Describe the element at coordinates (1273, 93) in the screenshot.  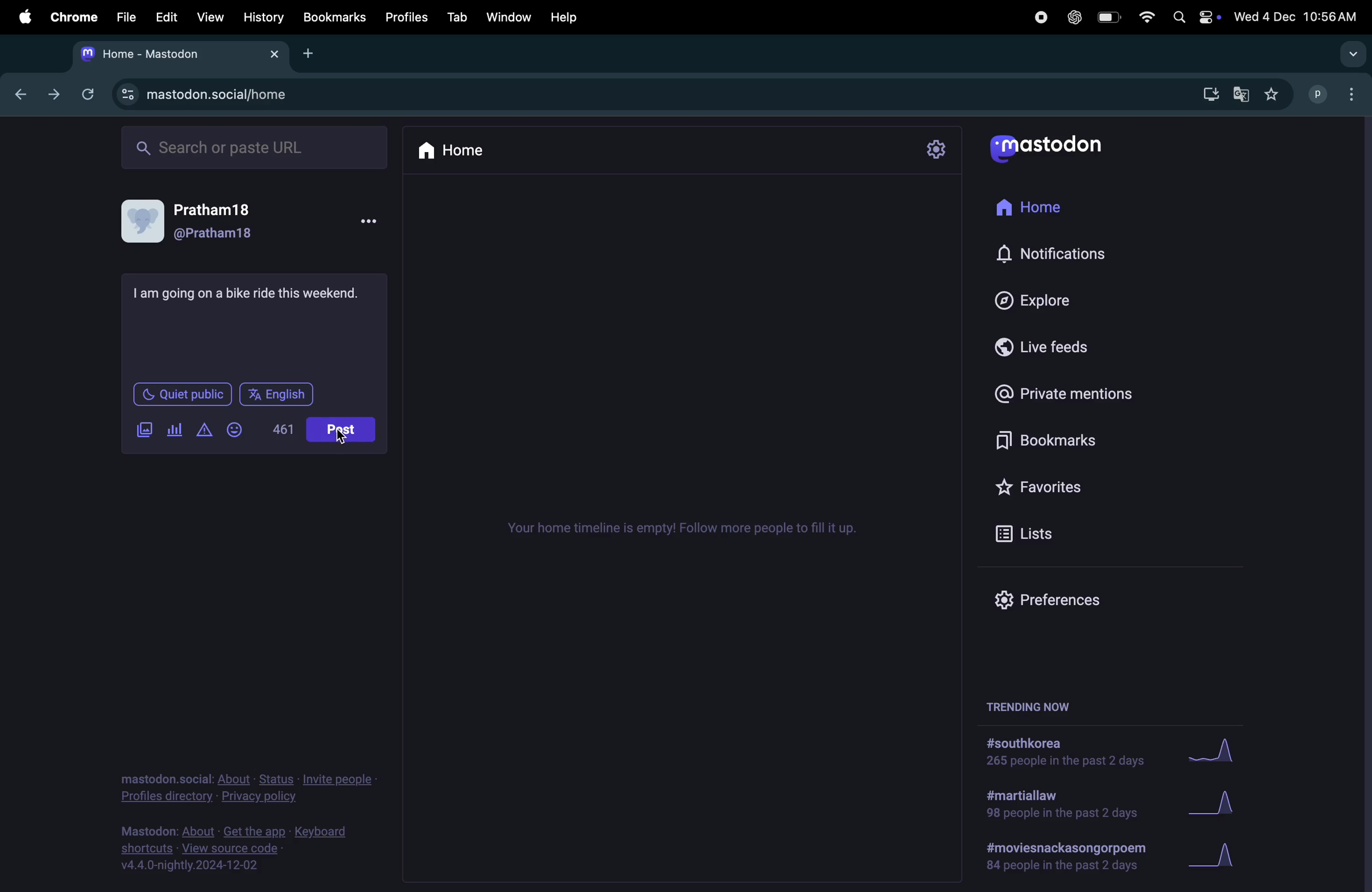
I see `favourites` at that location.